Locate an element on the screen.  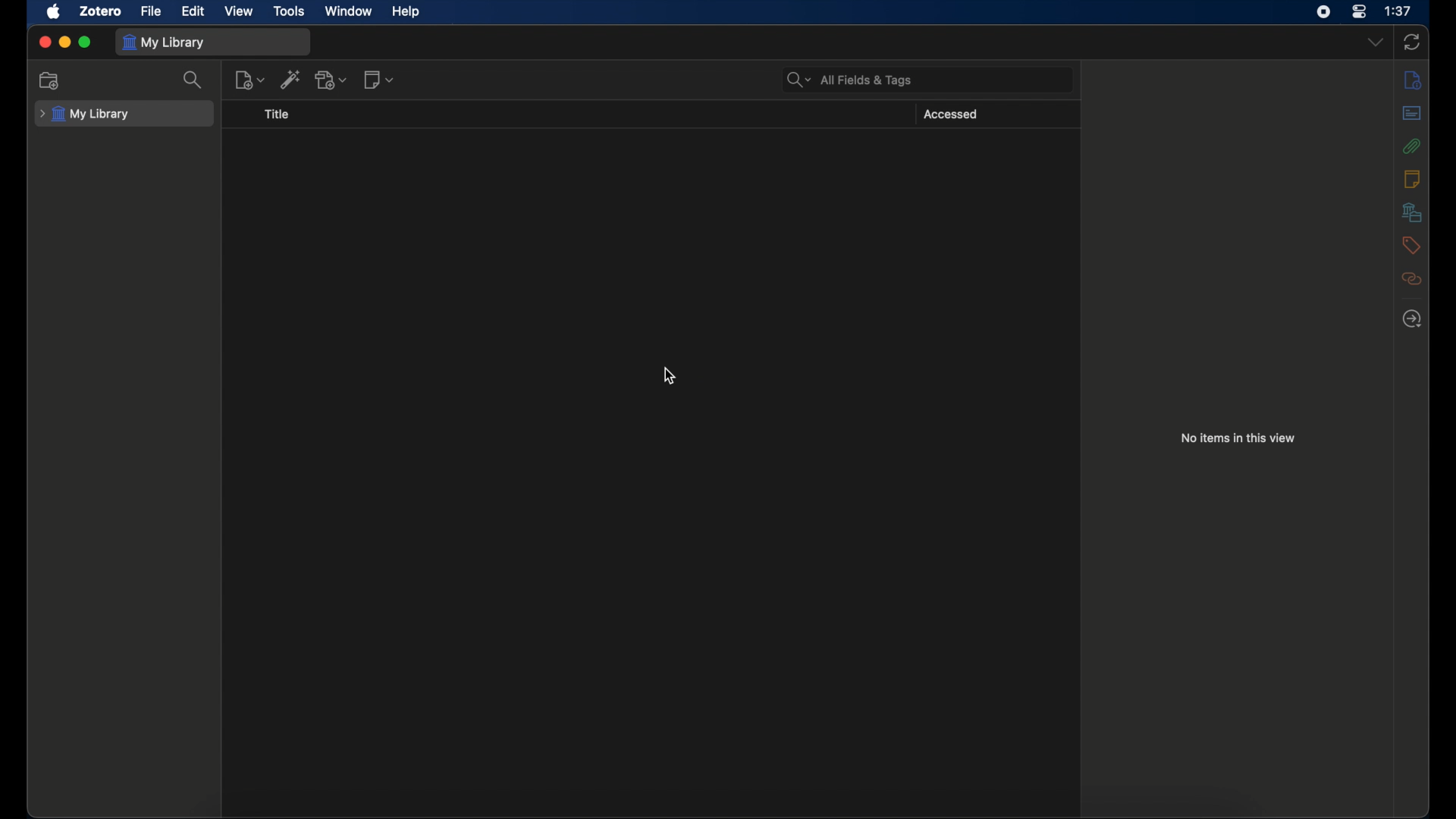
window is located at coordinates (348, 11).